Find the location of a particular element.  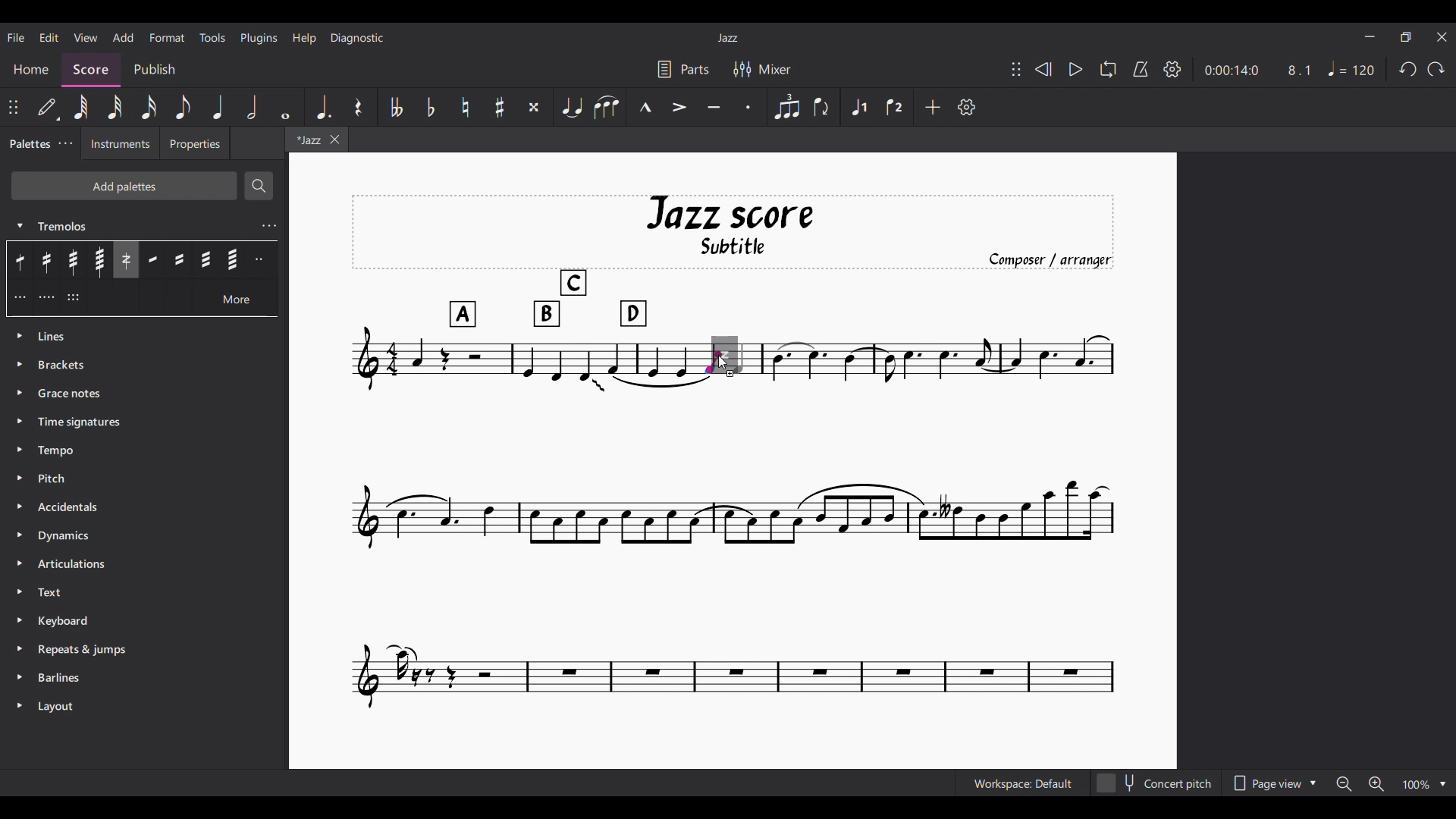

Format is located at coordinates (167, 37).